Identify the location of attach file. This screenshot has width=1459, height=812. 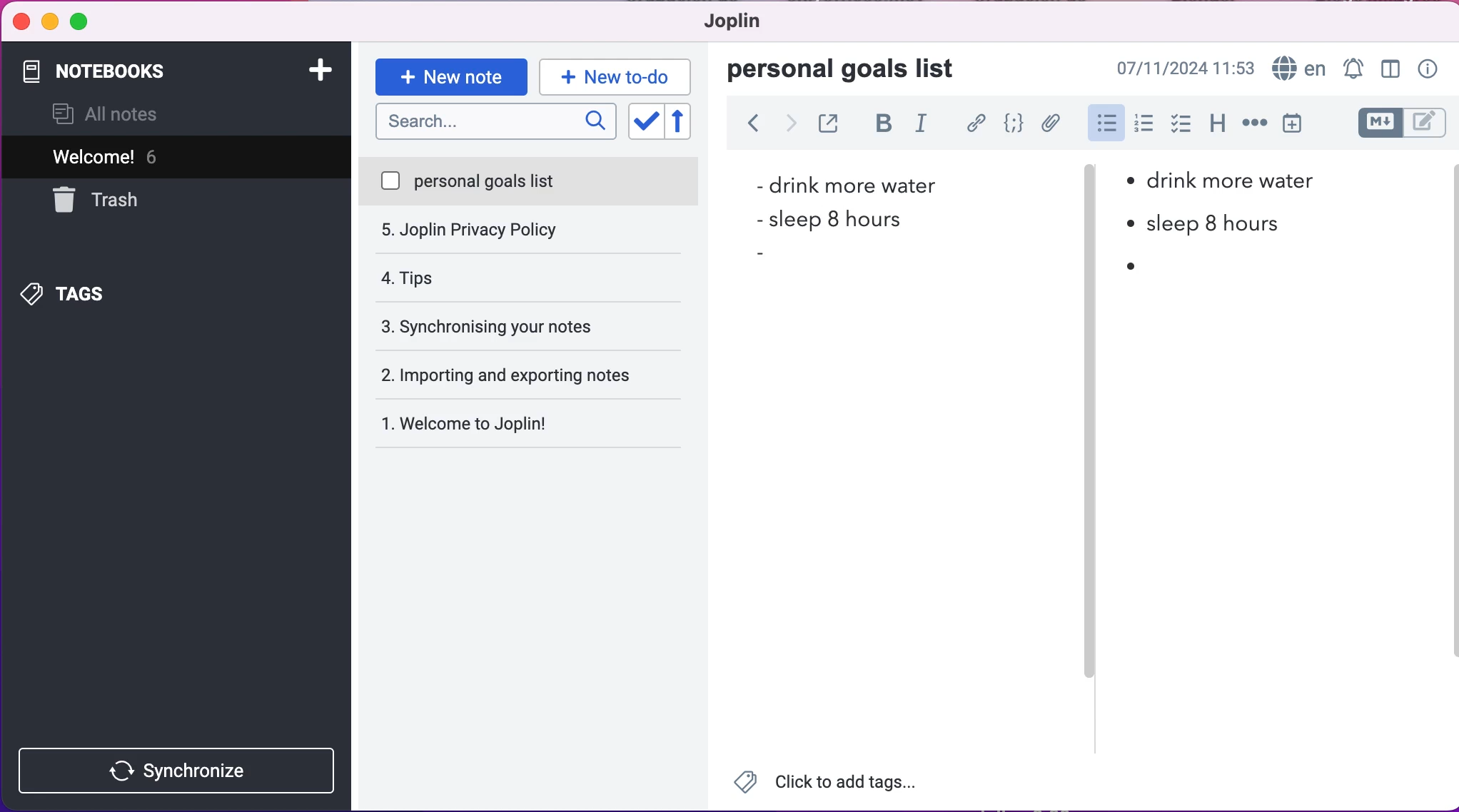
(1049, 123).